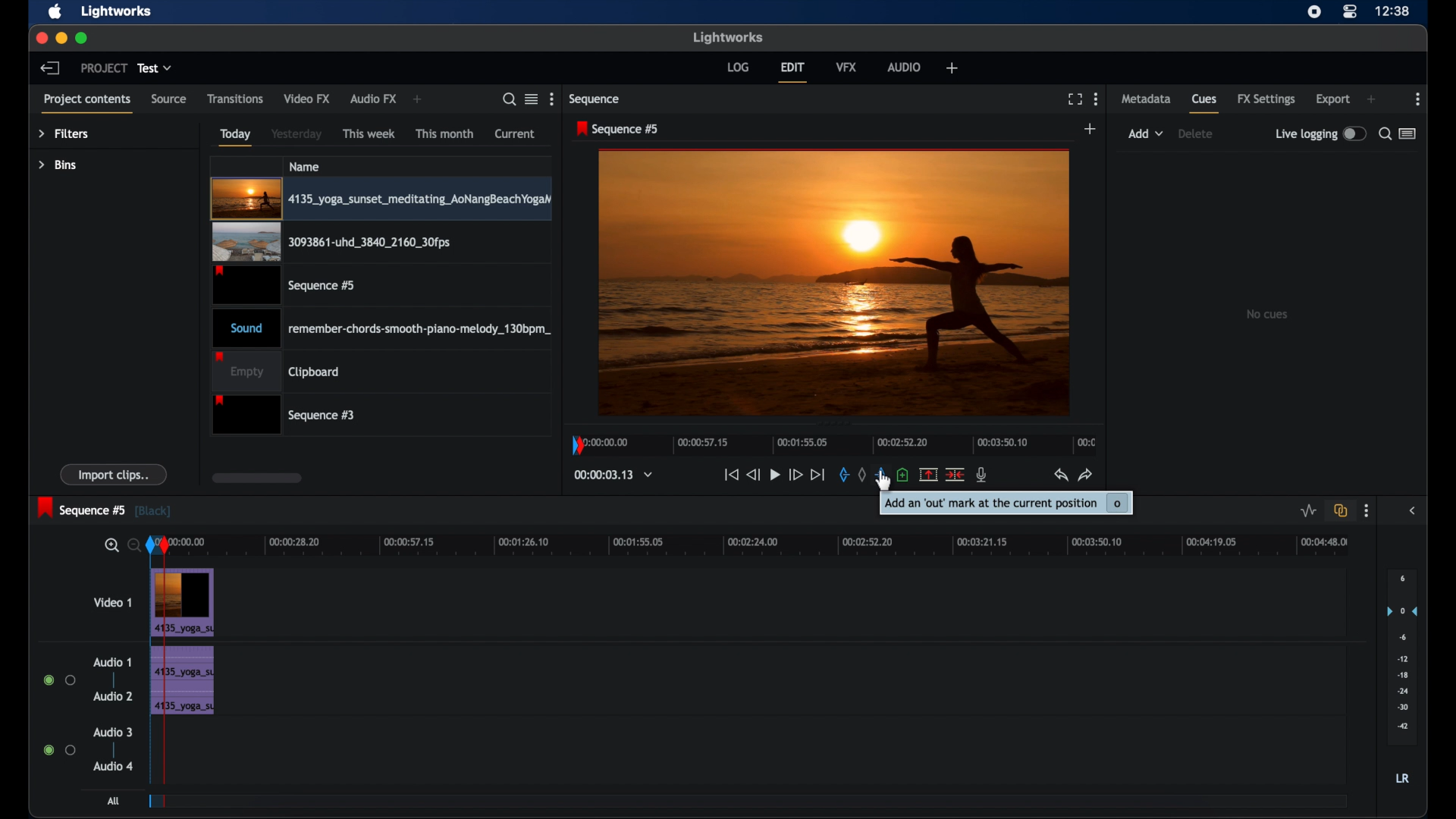  Describe the element at coordinates (418, 99) in the screenshot. I see `add` at that location.